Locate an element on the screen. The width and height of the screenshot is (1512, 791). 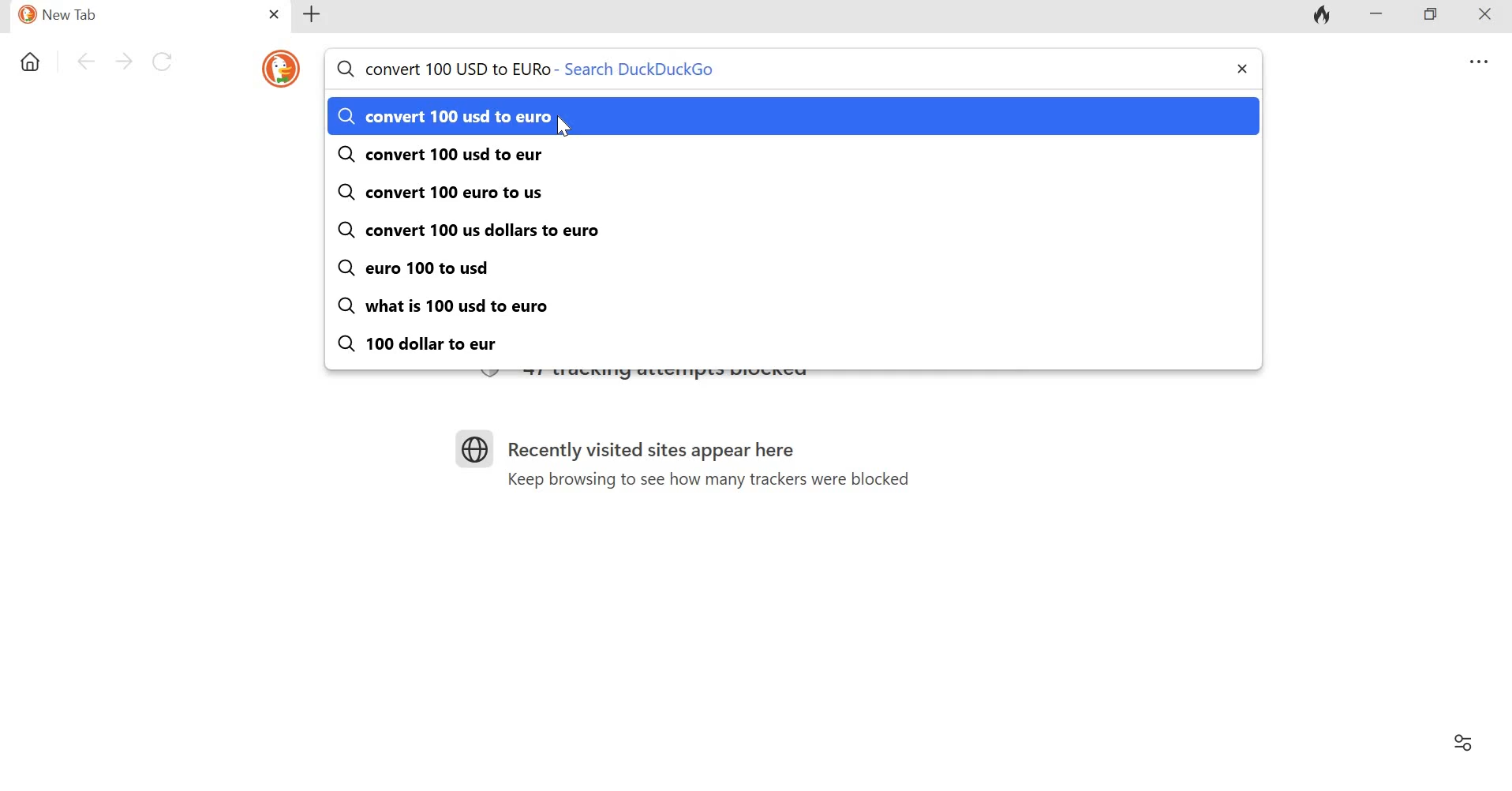
close tab is located at coordinates (271, 13).